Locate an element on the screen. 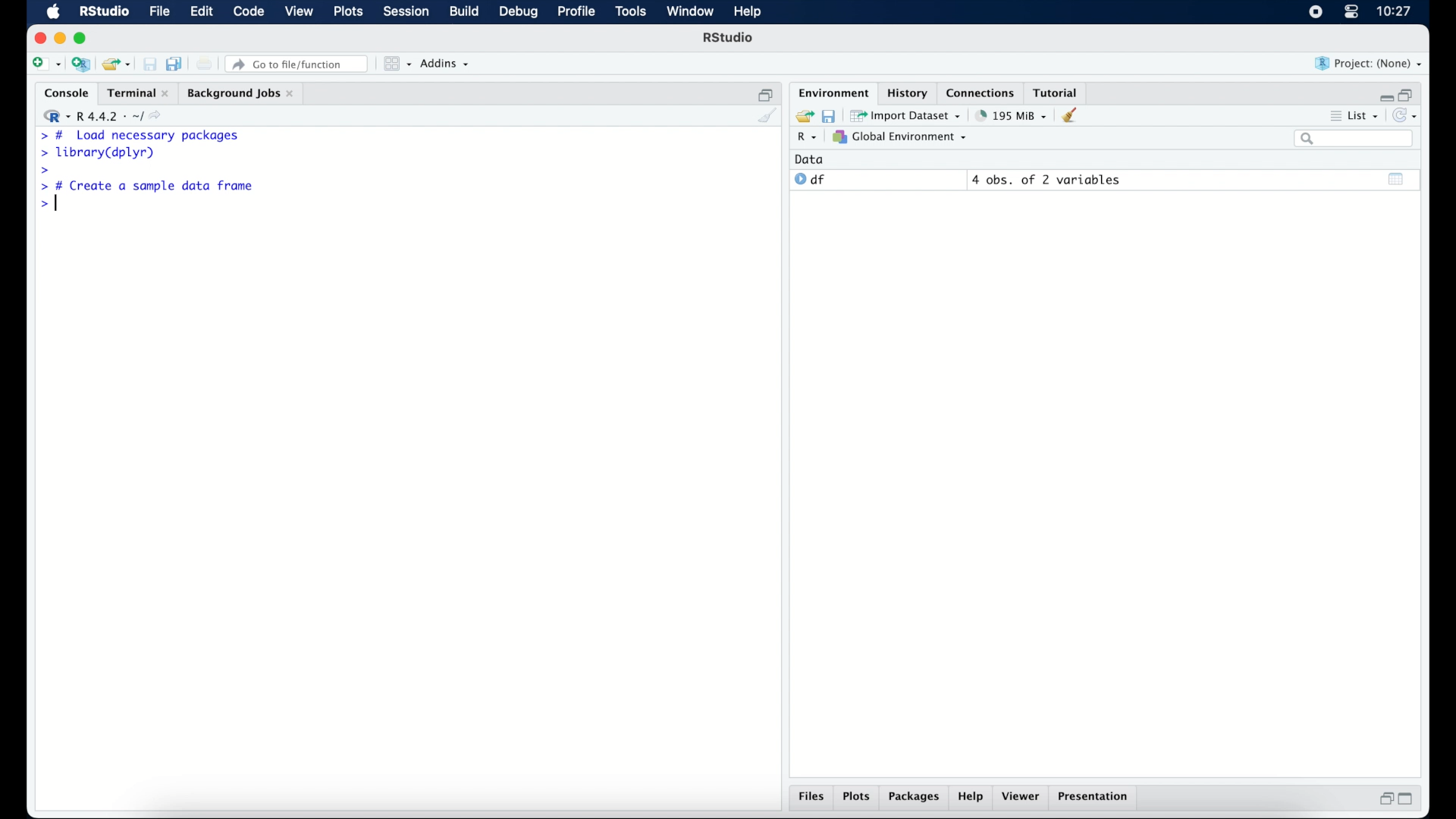  file is located at coordinates (158, 12).